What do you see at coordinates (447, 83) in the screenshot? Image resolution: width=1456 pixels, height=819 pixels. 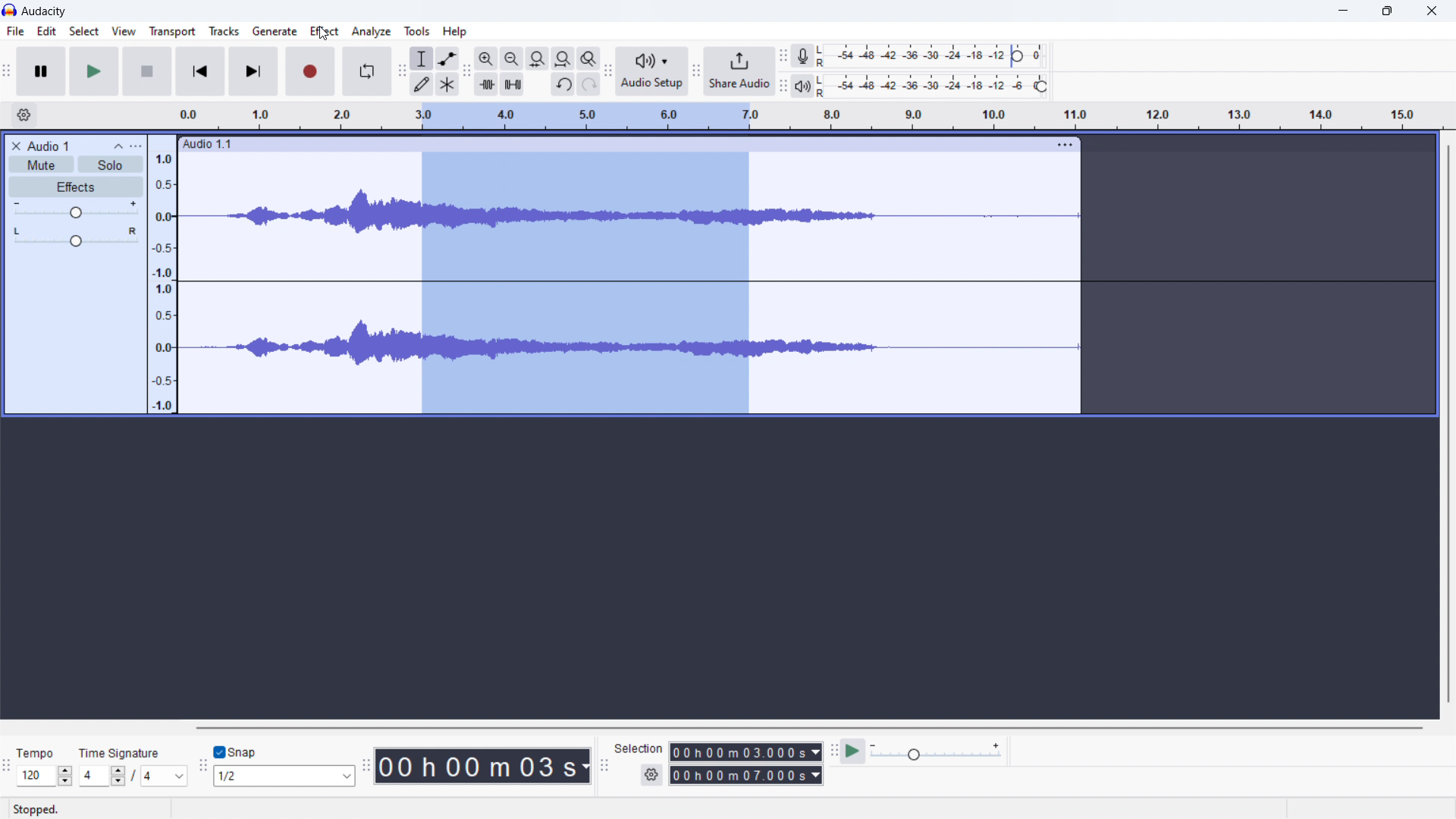 I see `multi tool` at bounding box center [447, 83].